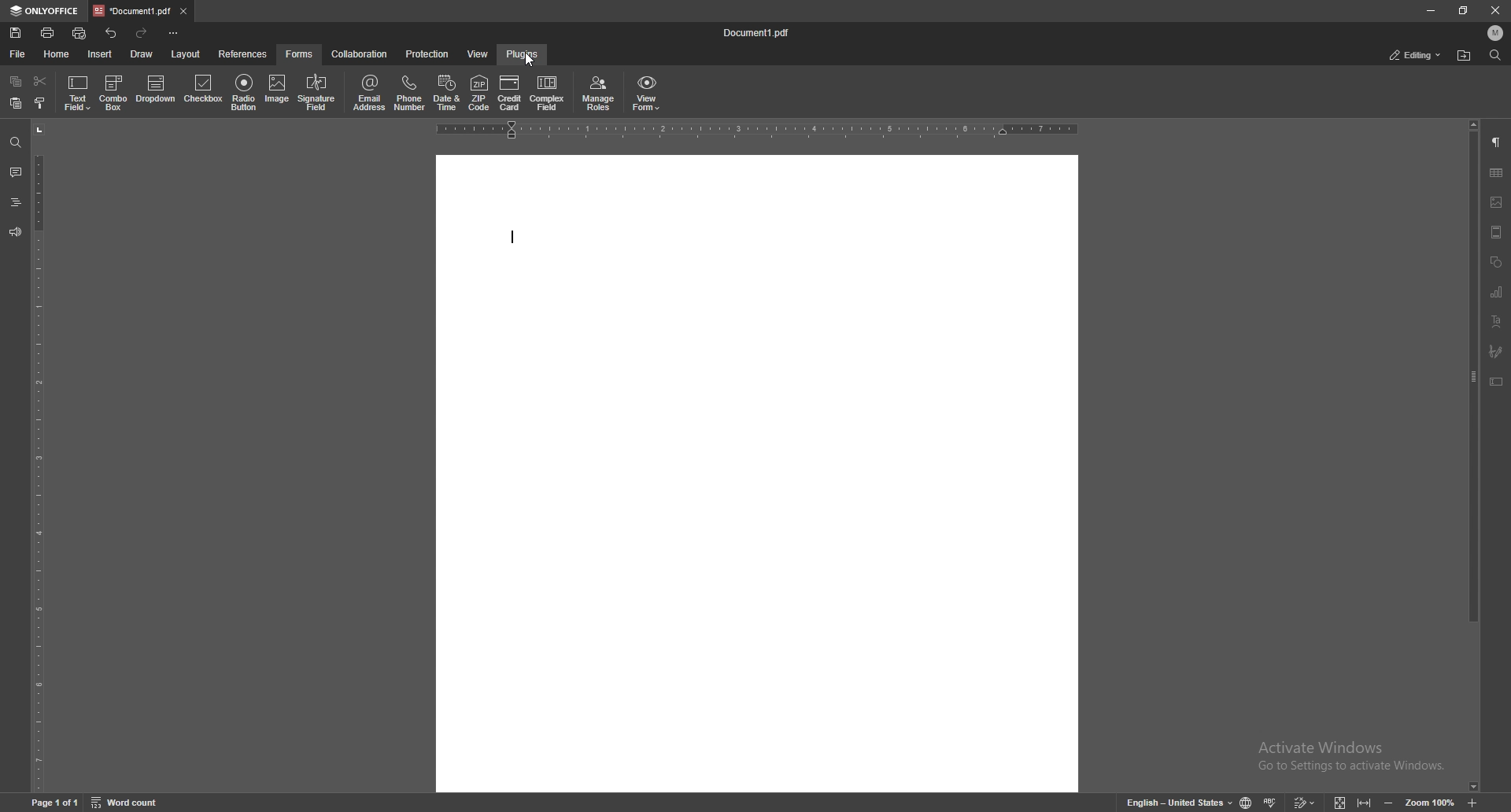 This screenshot has width=1511, height=812. I want to click on checkbox, so click(204, 92).